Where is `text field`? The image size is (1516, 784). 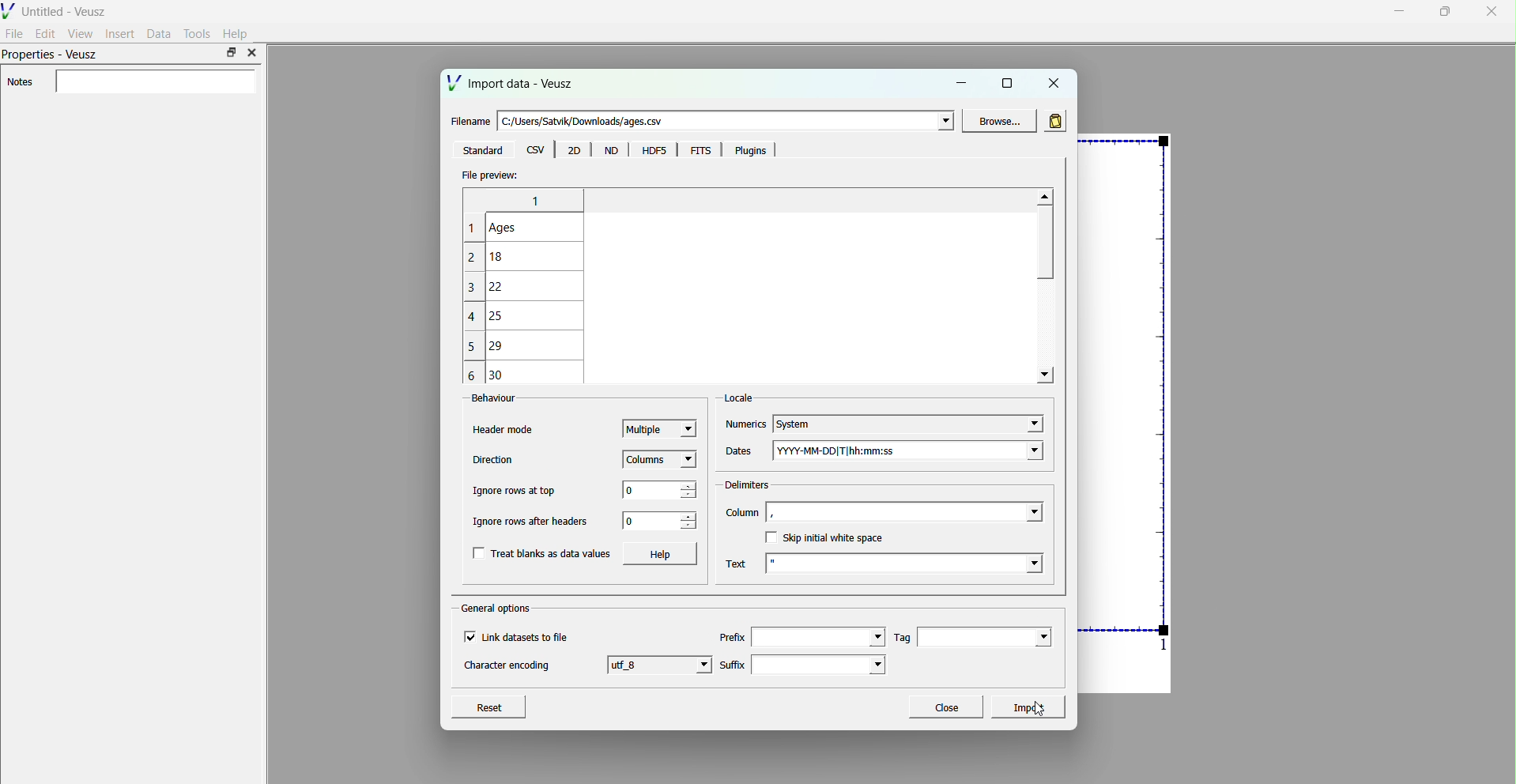
text field is located at coordinates (906, 563).